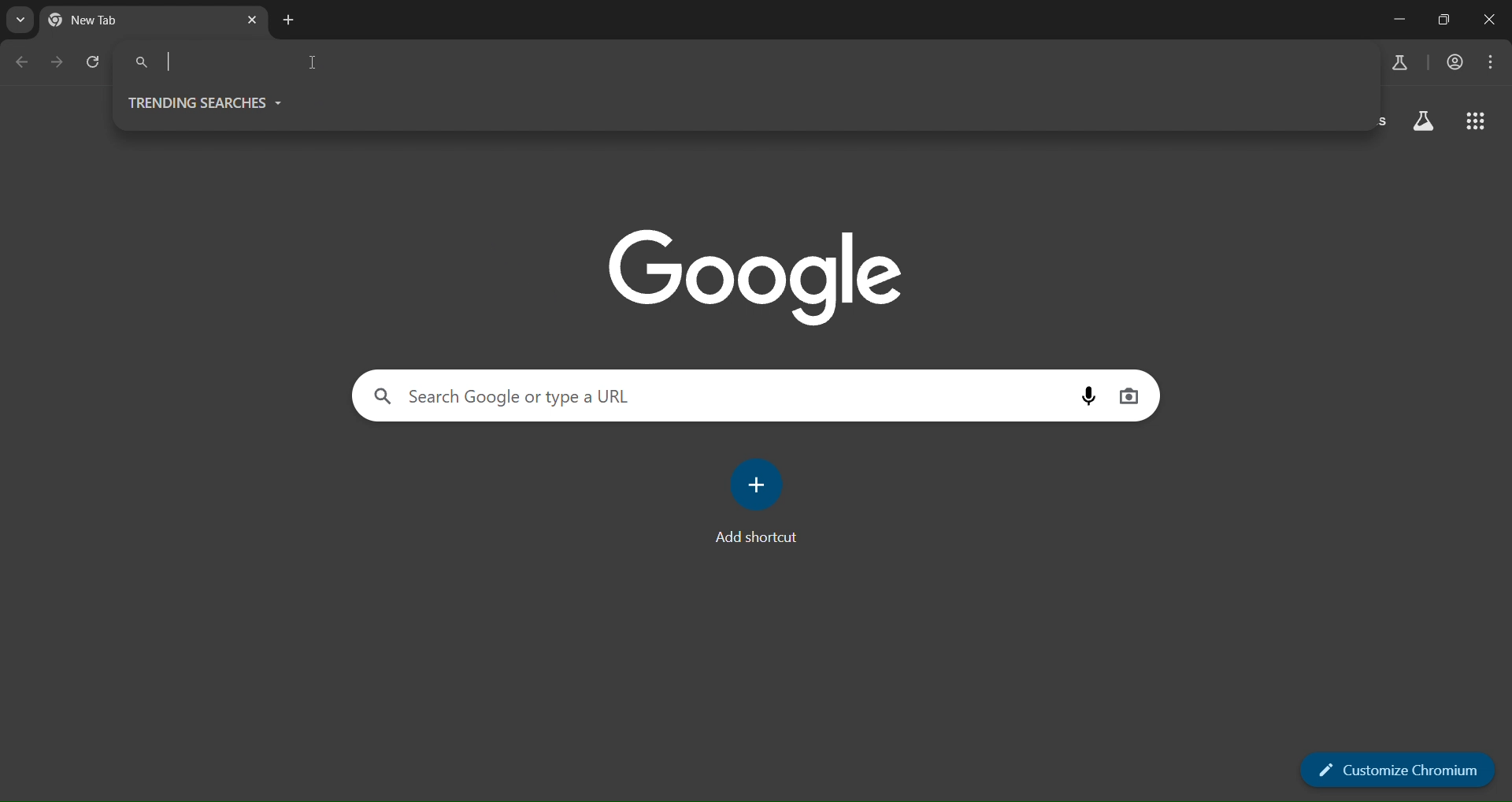 The height and width of the screenshot is (802, 1512). Describe the element at coordinates (213, 101) in the screenshot. I see `trending searches` at that location.